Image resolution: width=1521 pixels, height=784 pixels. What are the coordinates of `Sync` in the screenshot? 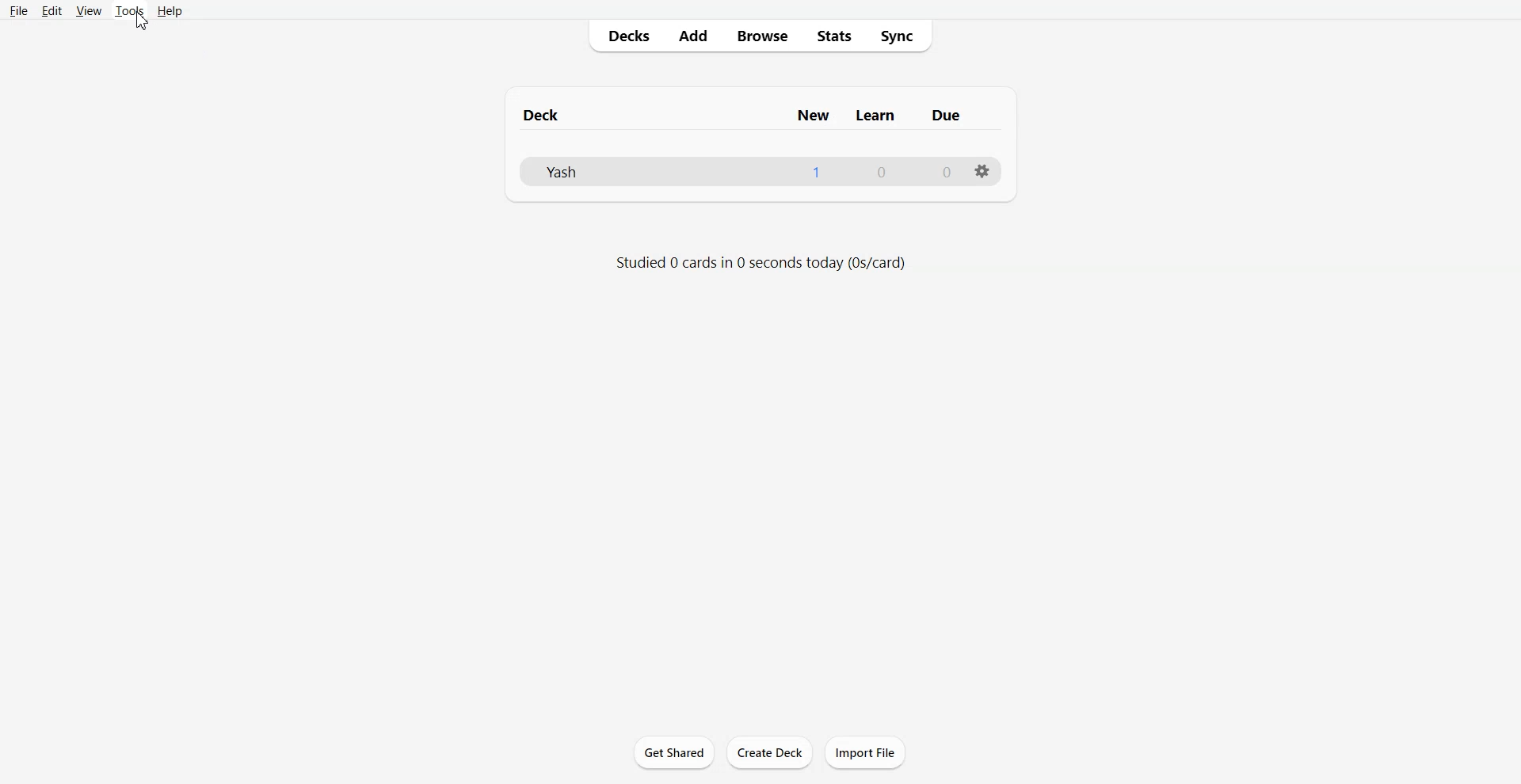 It's located at (902, 36).